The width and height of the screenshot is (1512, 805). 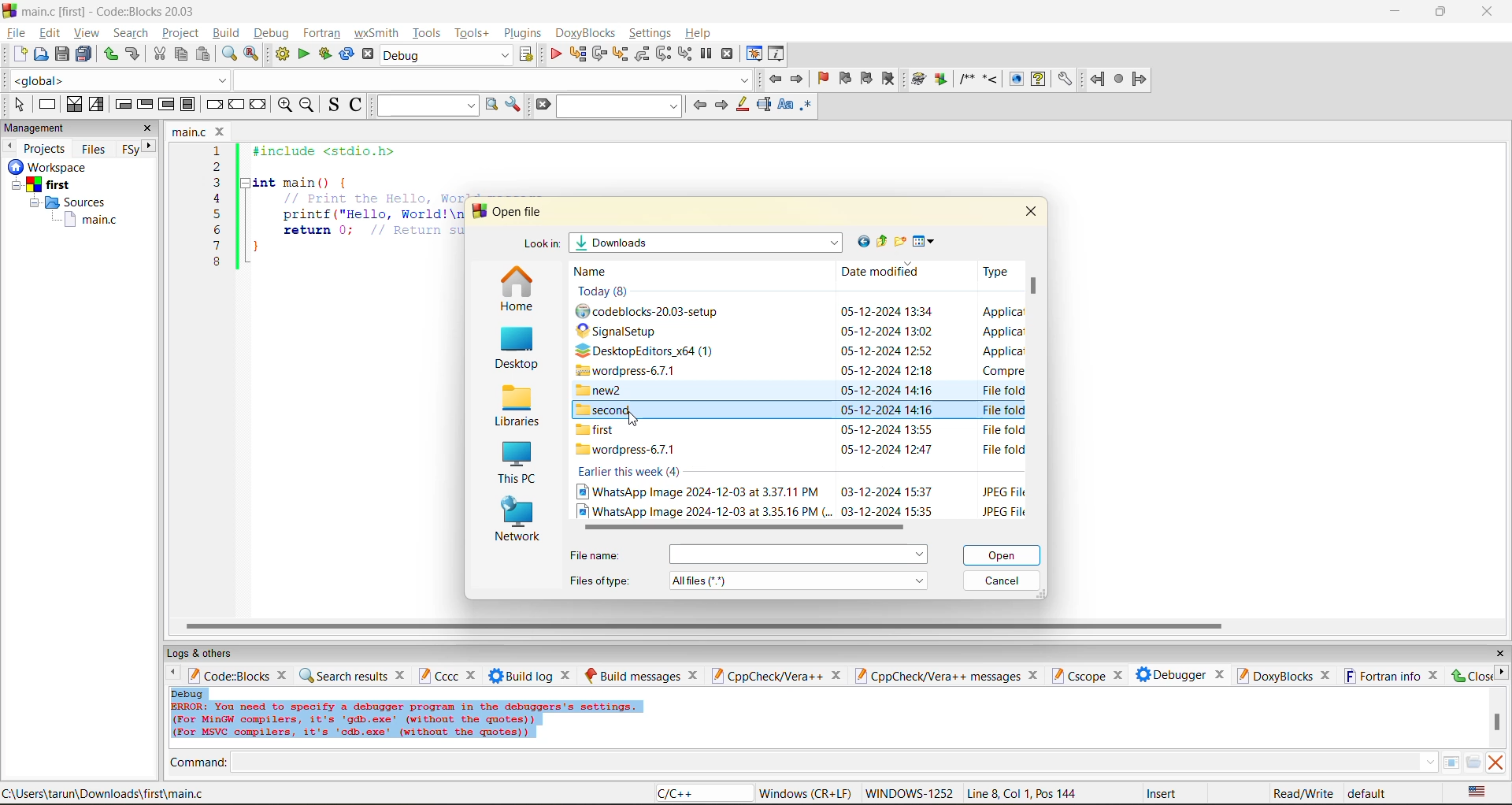 What do you see at coordinates (777, 54) in the screenshot?
I see `various info` at bounding box center [777, 54].